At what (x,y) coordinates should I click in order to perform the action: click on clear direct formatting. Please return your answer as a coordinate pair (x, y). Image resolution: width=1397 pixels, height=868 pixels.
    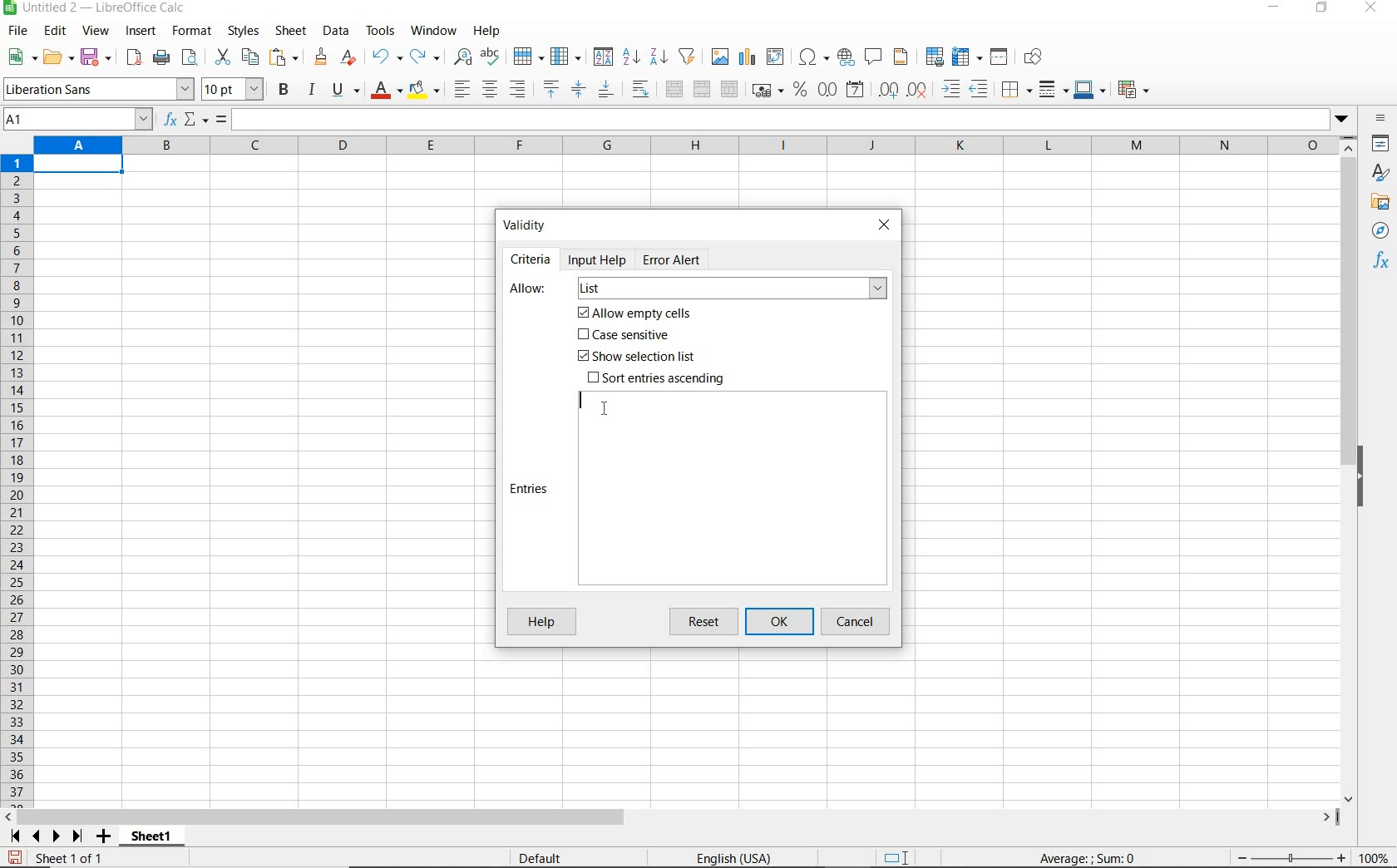
    Looking at the image, I should click on (350, 57).